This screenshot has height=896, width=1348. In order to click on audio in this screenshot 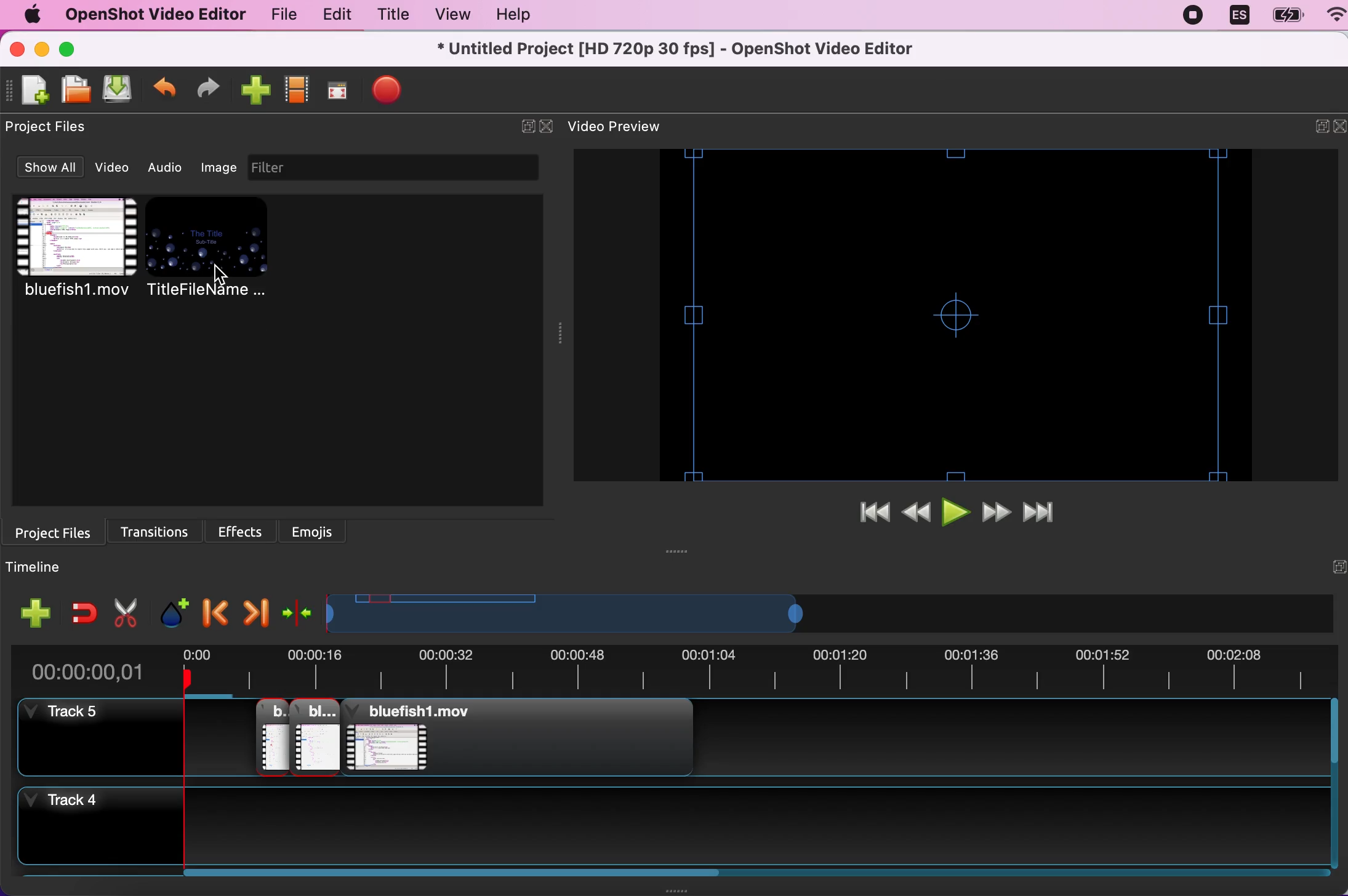, I will do `click(169, 167)`.